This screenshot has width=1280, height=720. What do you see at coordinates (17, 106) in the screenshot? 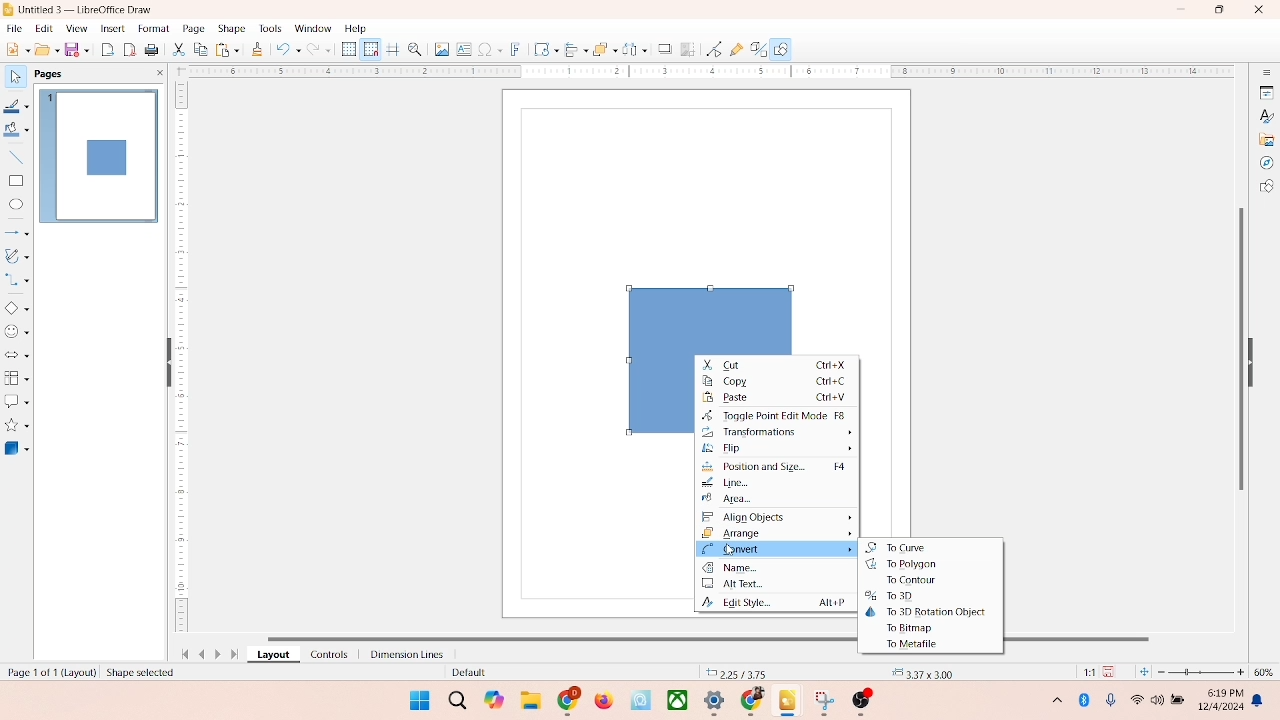
I see `line color` at bounding box center [17, 106].